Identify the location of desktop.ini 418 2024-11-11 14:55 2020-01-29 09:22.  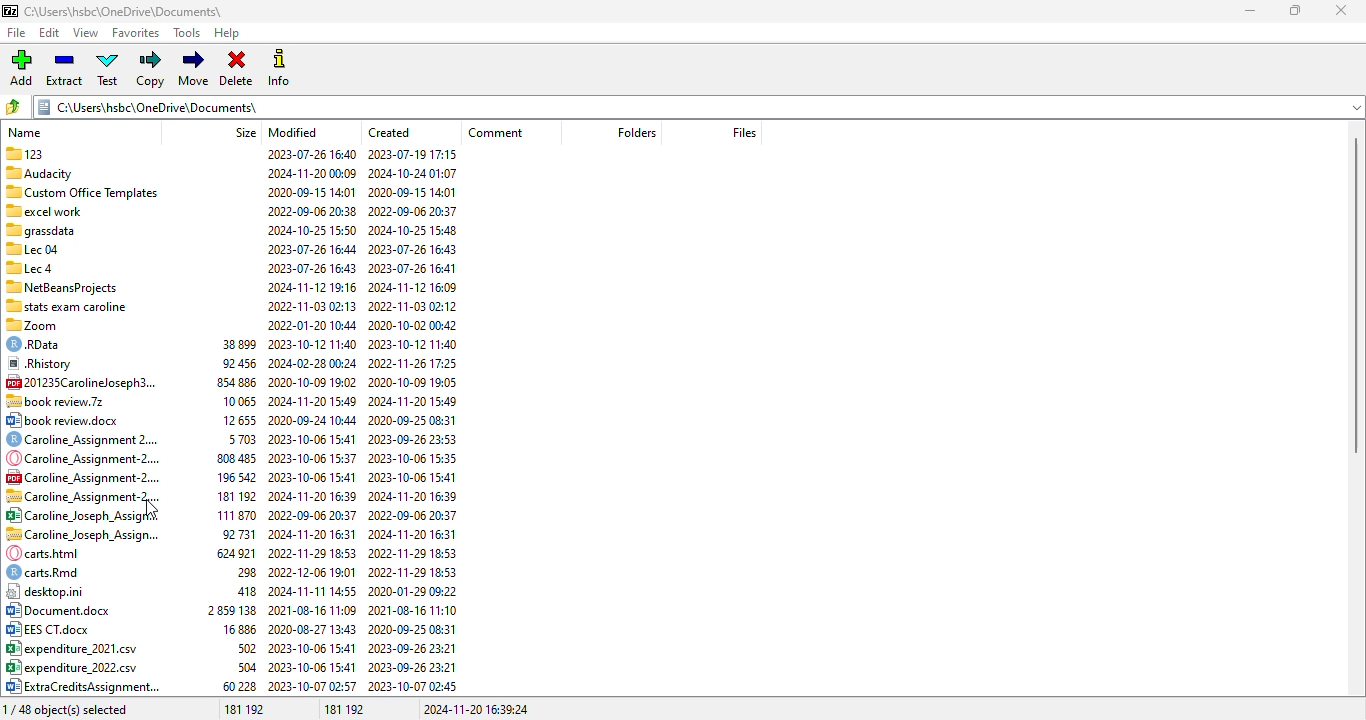
(232, 591).